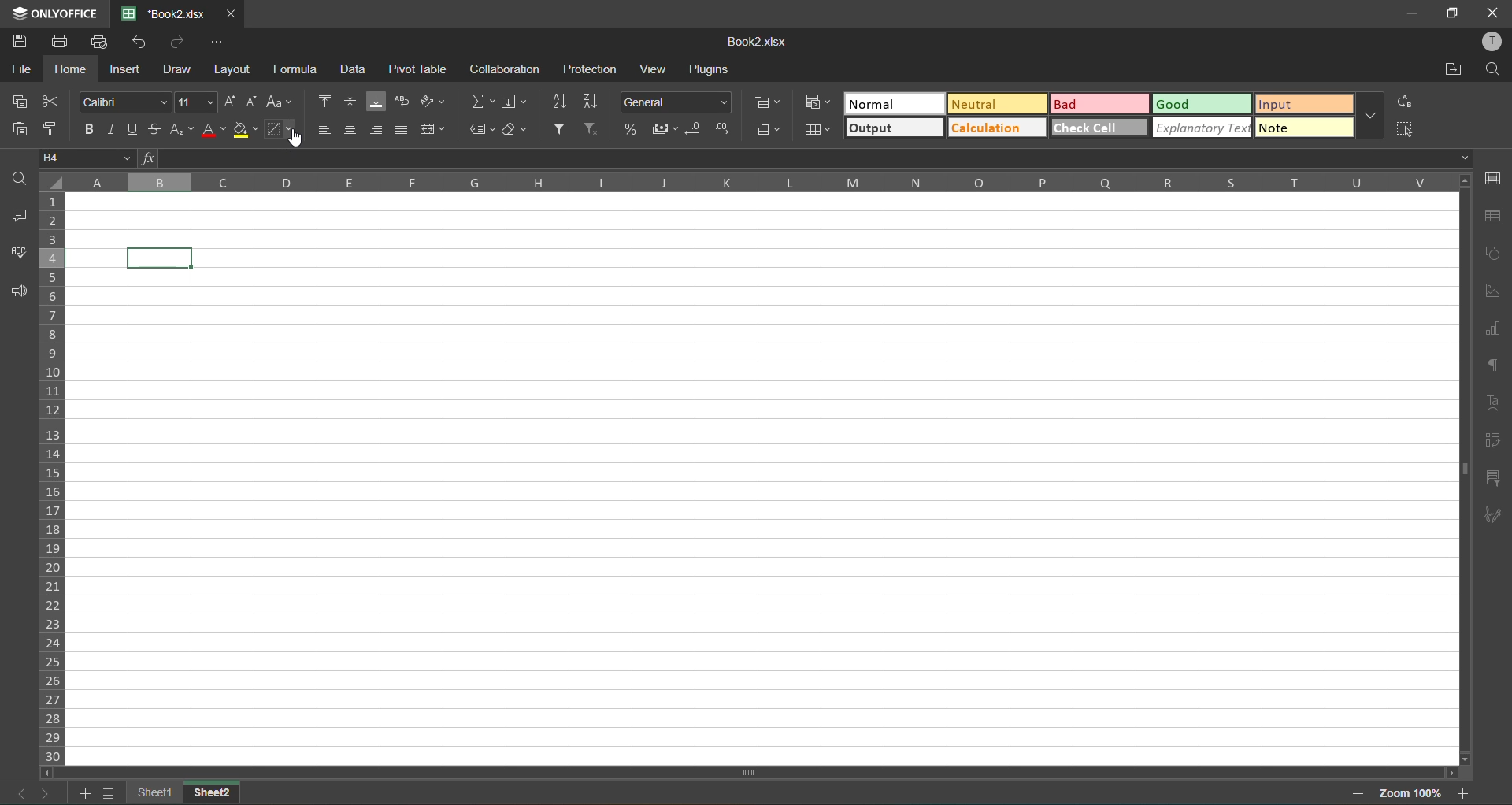 This screenshot has height=805, width=1512. Describe the element at coordinates (230, 101) in the screenshot. I see `increment size` at that location.